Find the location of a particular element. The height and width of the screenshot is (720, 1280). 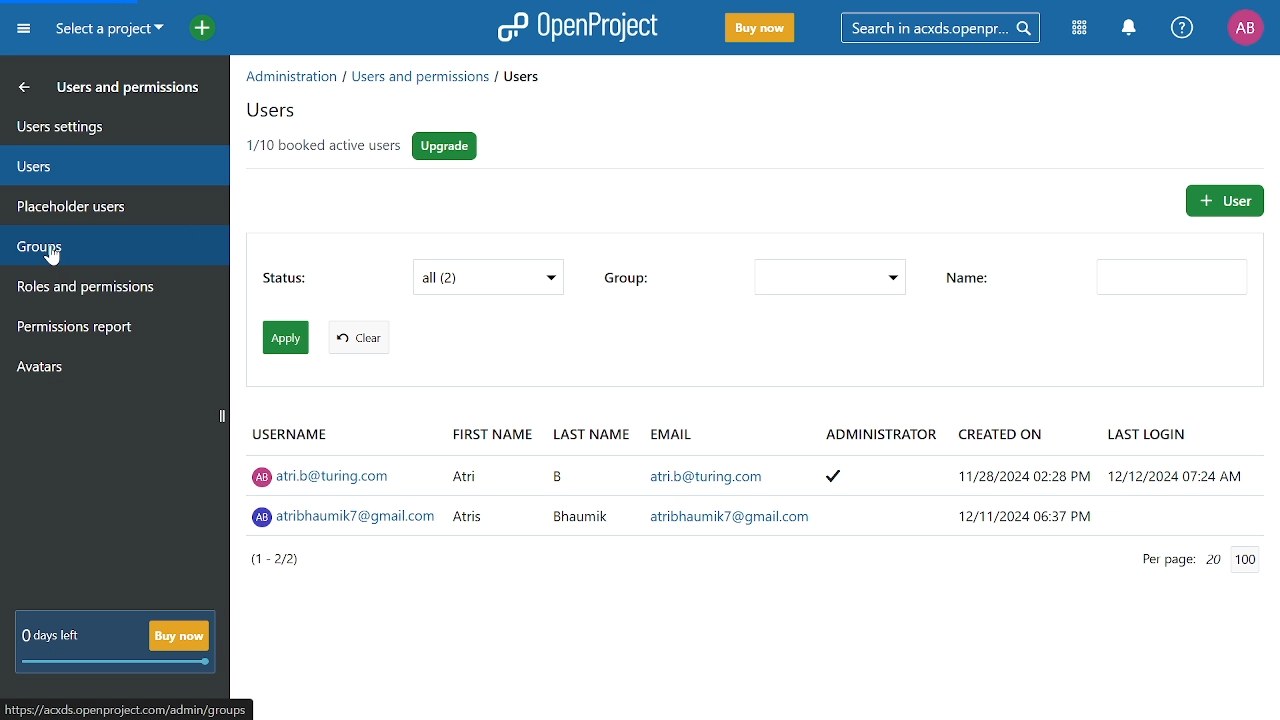

Upgrade is located at coordinates (447, 147).